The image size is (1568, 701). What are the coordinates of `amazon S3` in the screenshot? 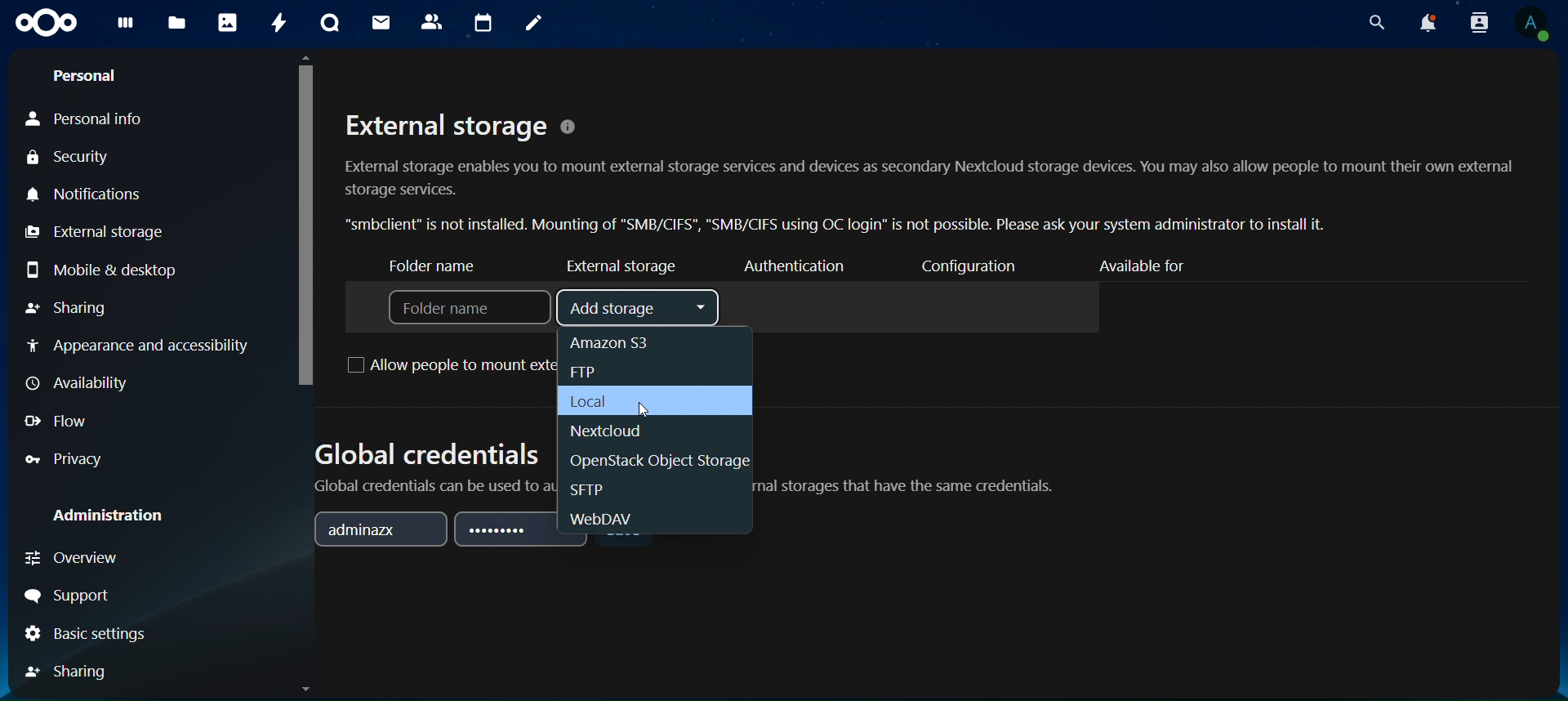 It's located at (616, 342).